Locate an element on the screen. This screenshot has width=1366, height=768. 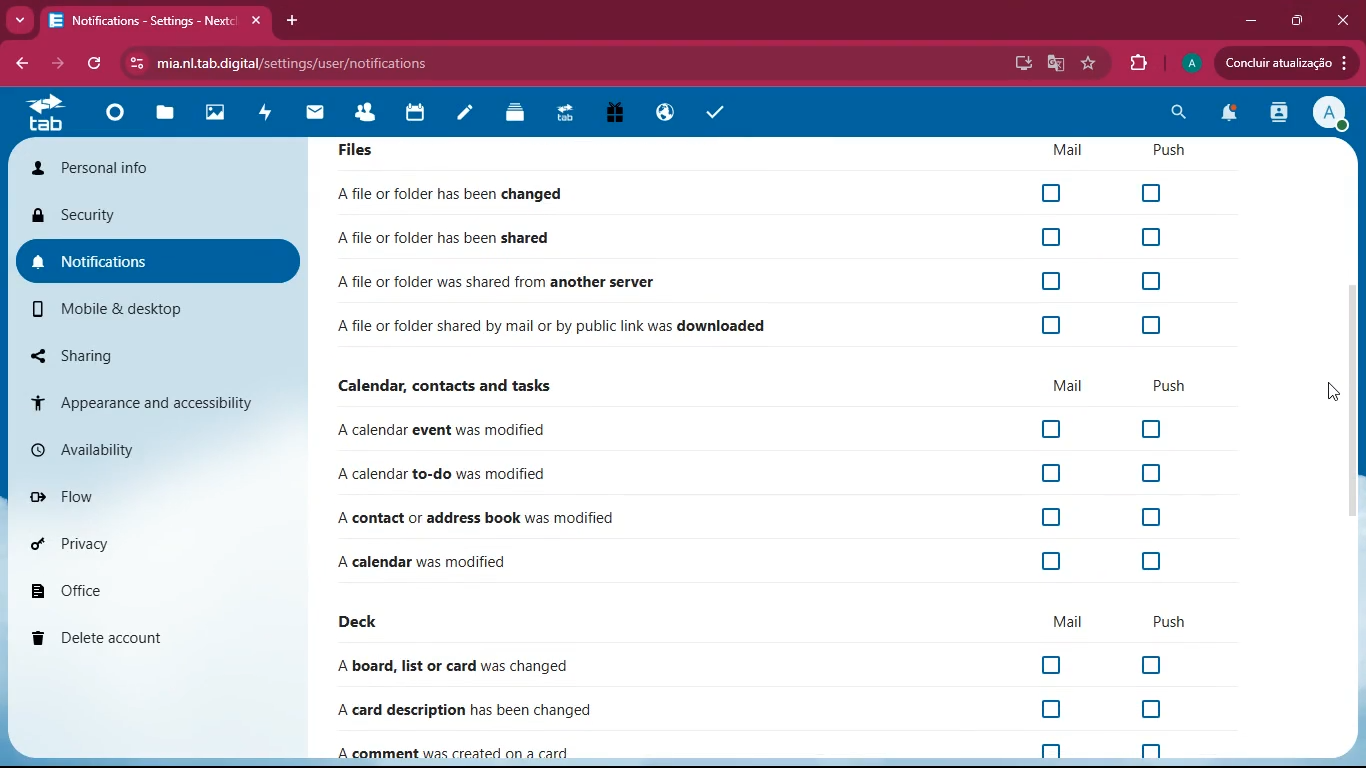
notifications is located at coordinates (152, 256).